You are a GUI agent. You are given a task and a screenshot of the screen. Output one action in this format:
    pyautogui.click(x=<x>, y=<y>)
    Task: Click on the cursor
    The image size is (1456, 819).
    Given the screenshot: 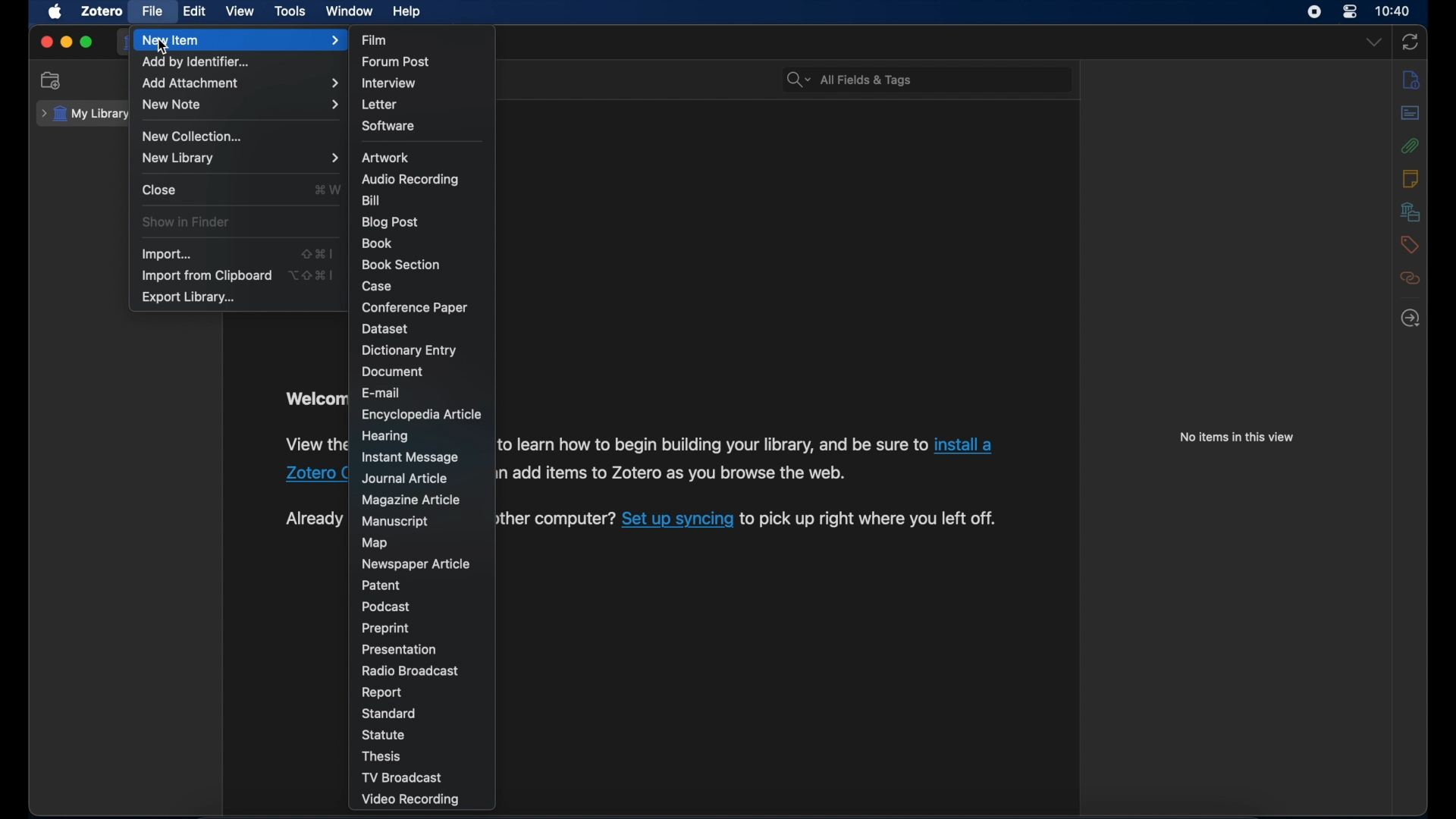 What is the action you would take?
    pyautogui.click(x=162, y=48)
    